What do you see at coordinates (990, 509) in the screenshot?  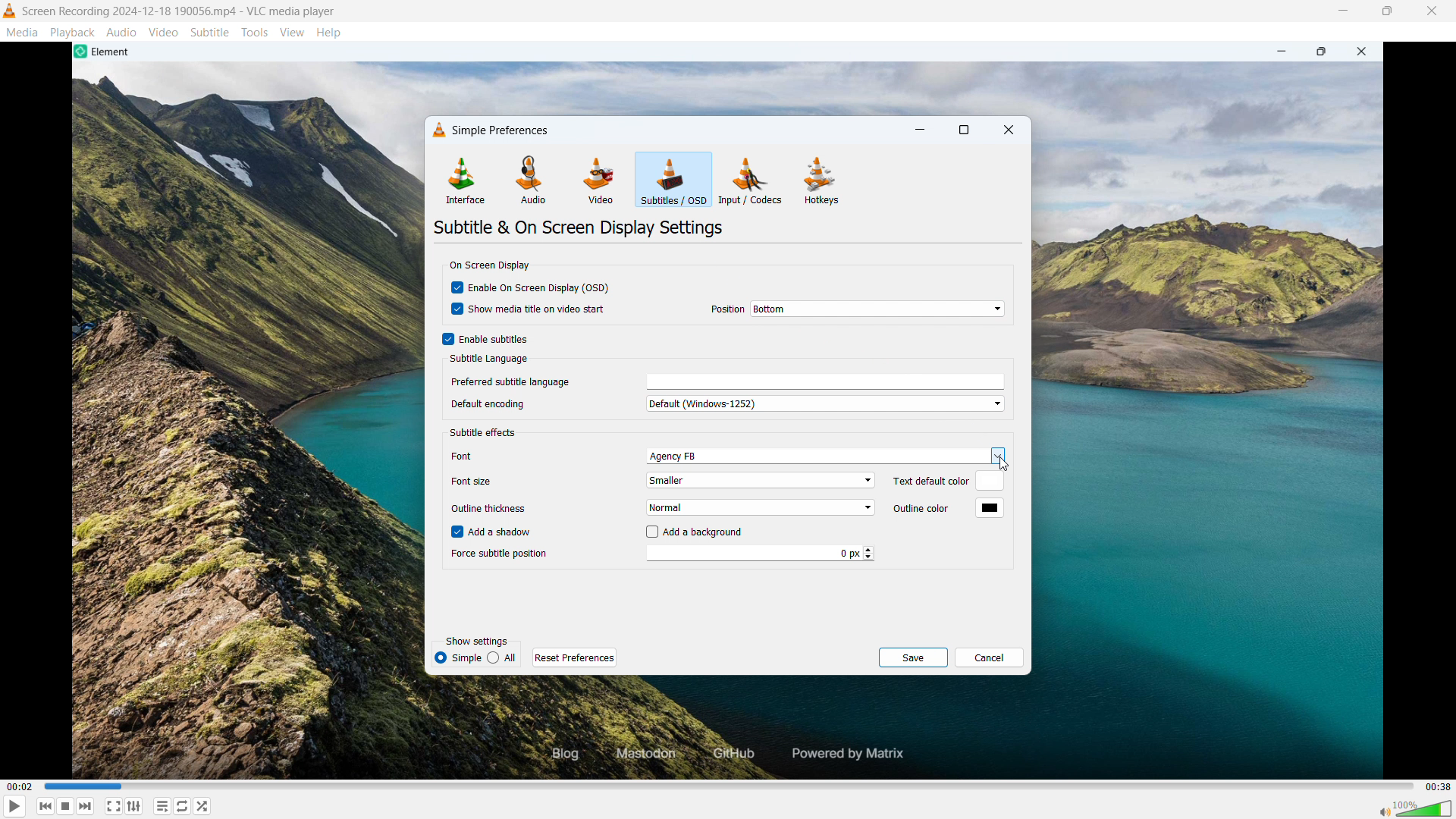 I see `outline color` at bounding box center [990, 509].